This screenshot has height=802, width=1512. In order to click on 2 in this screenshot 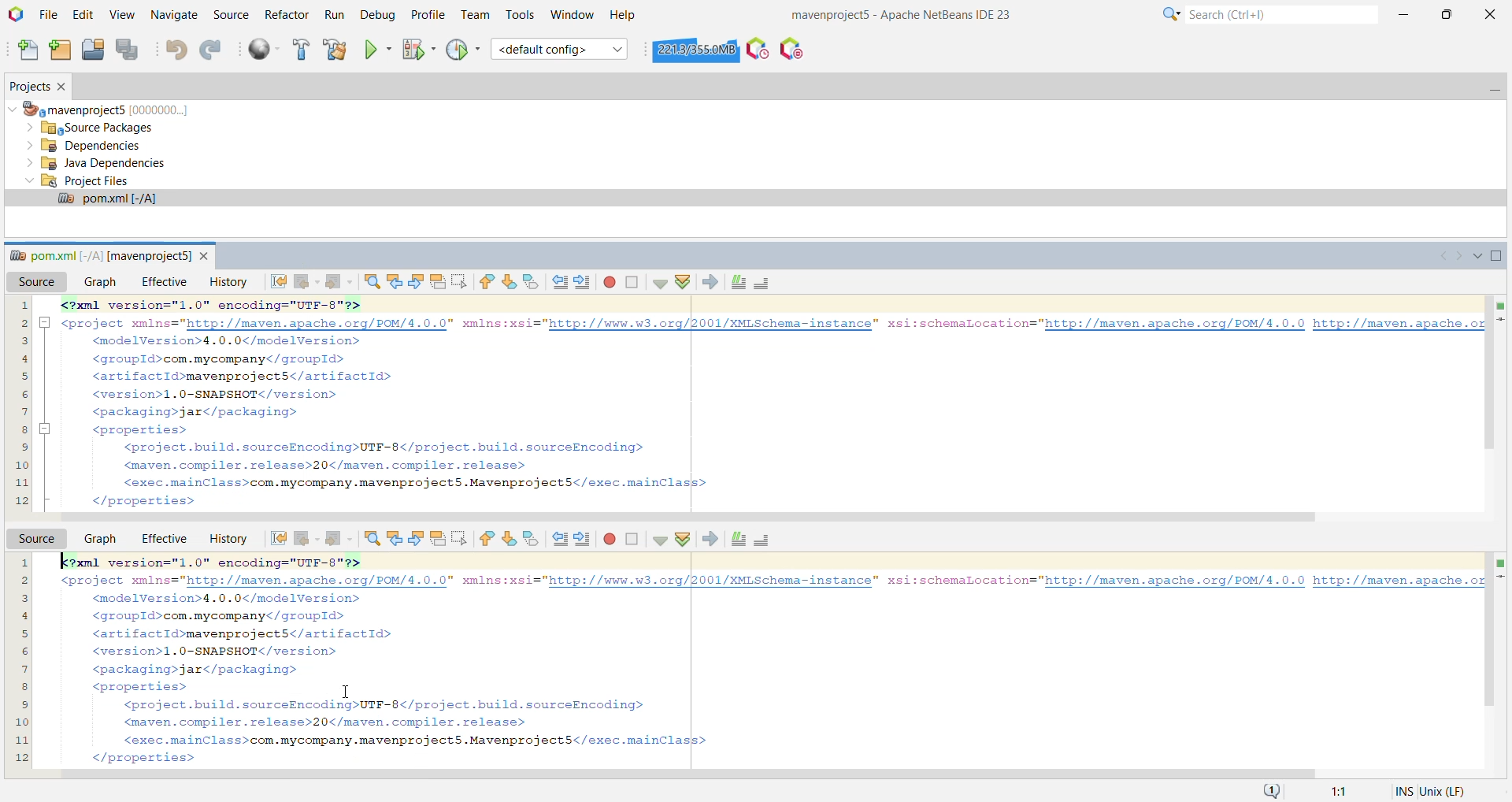, I will do `click(20, 323)`.